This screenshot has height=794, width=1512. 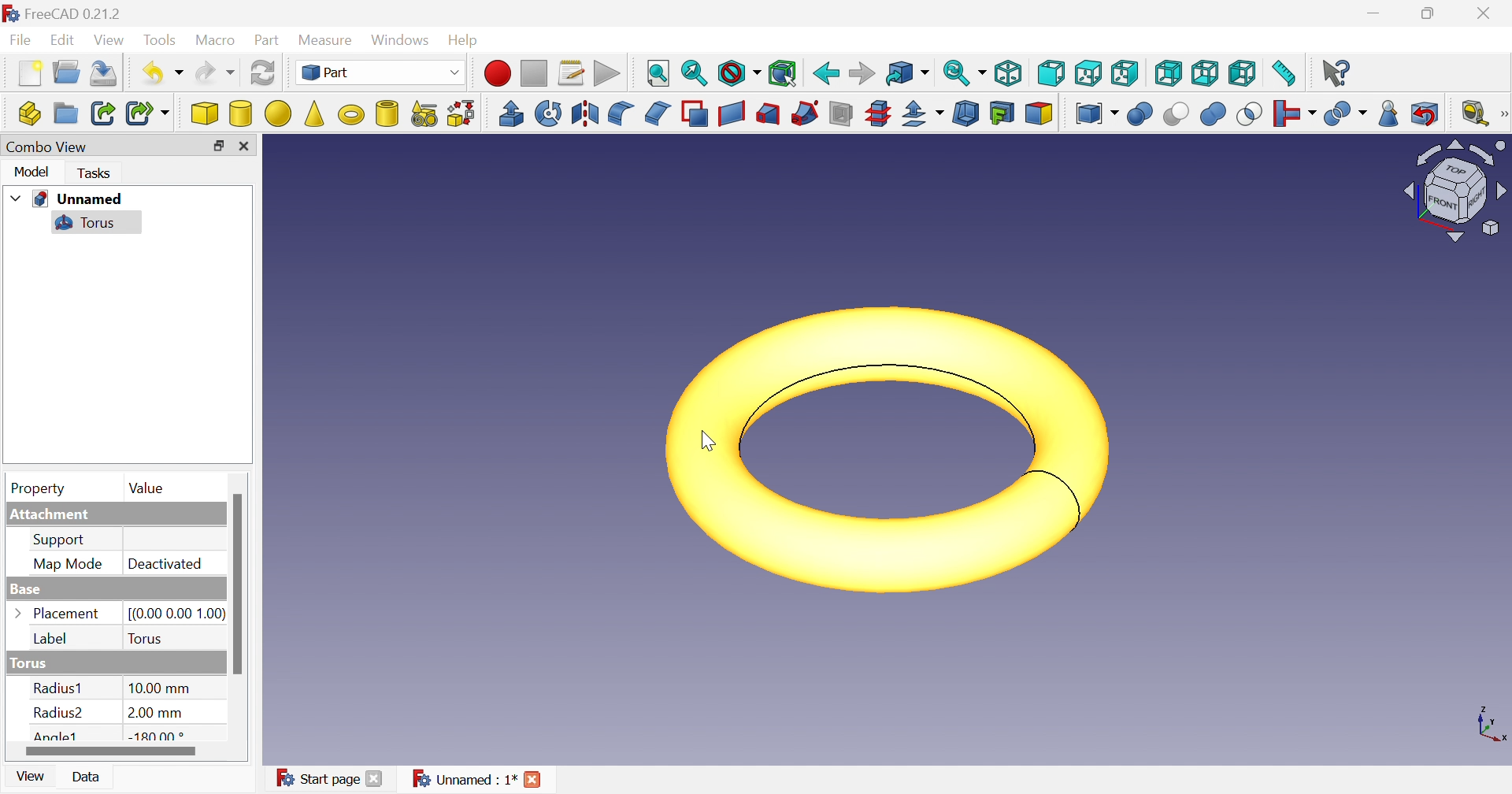 I want to click on Cursor, so click(x=713, y=443).